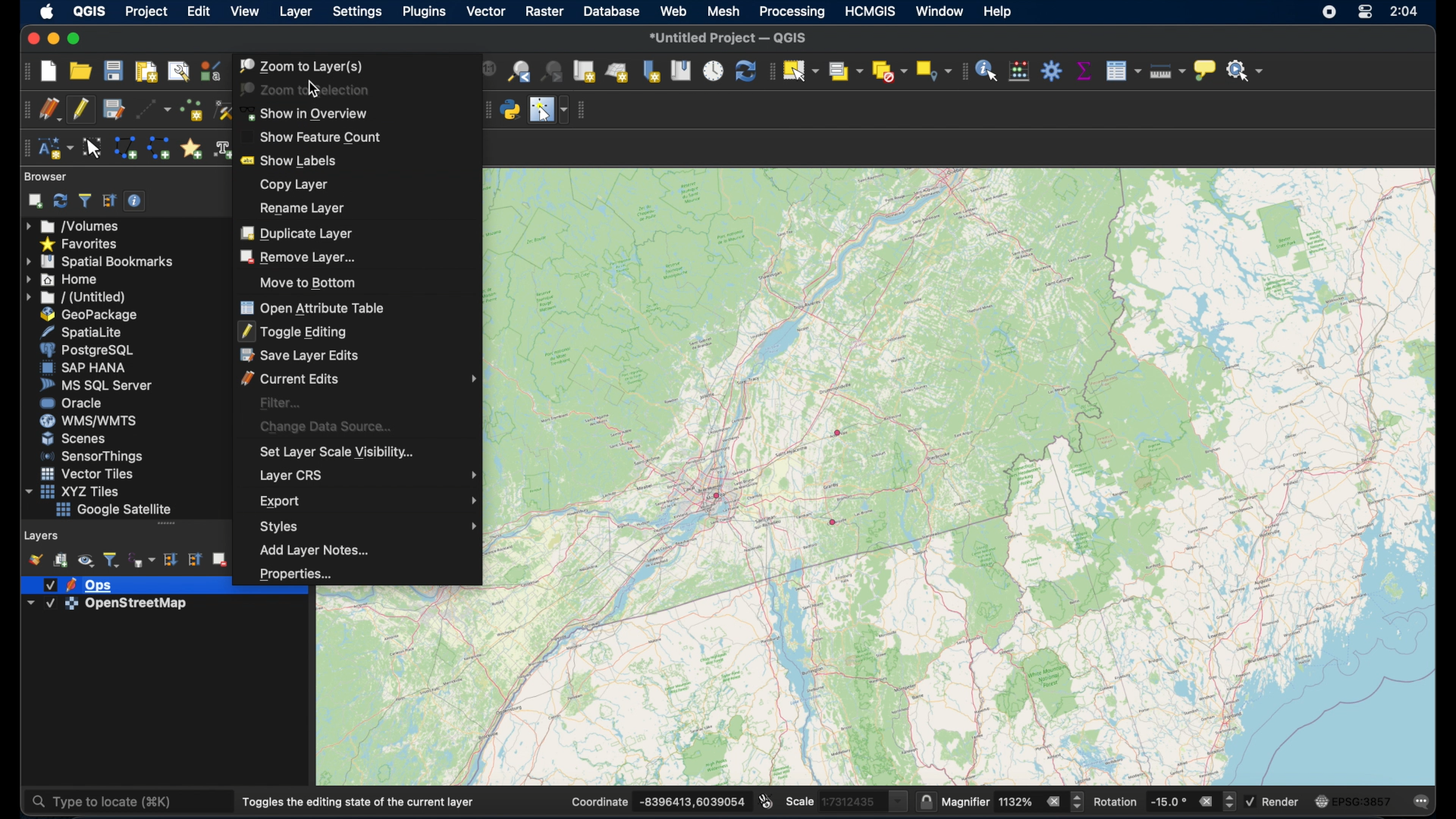 This screenshot has width=1456, height=819. Describe the element at coordinates (765, 802) in the screenshot. I see `toggle extents and mouse position display` at that location.